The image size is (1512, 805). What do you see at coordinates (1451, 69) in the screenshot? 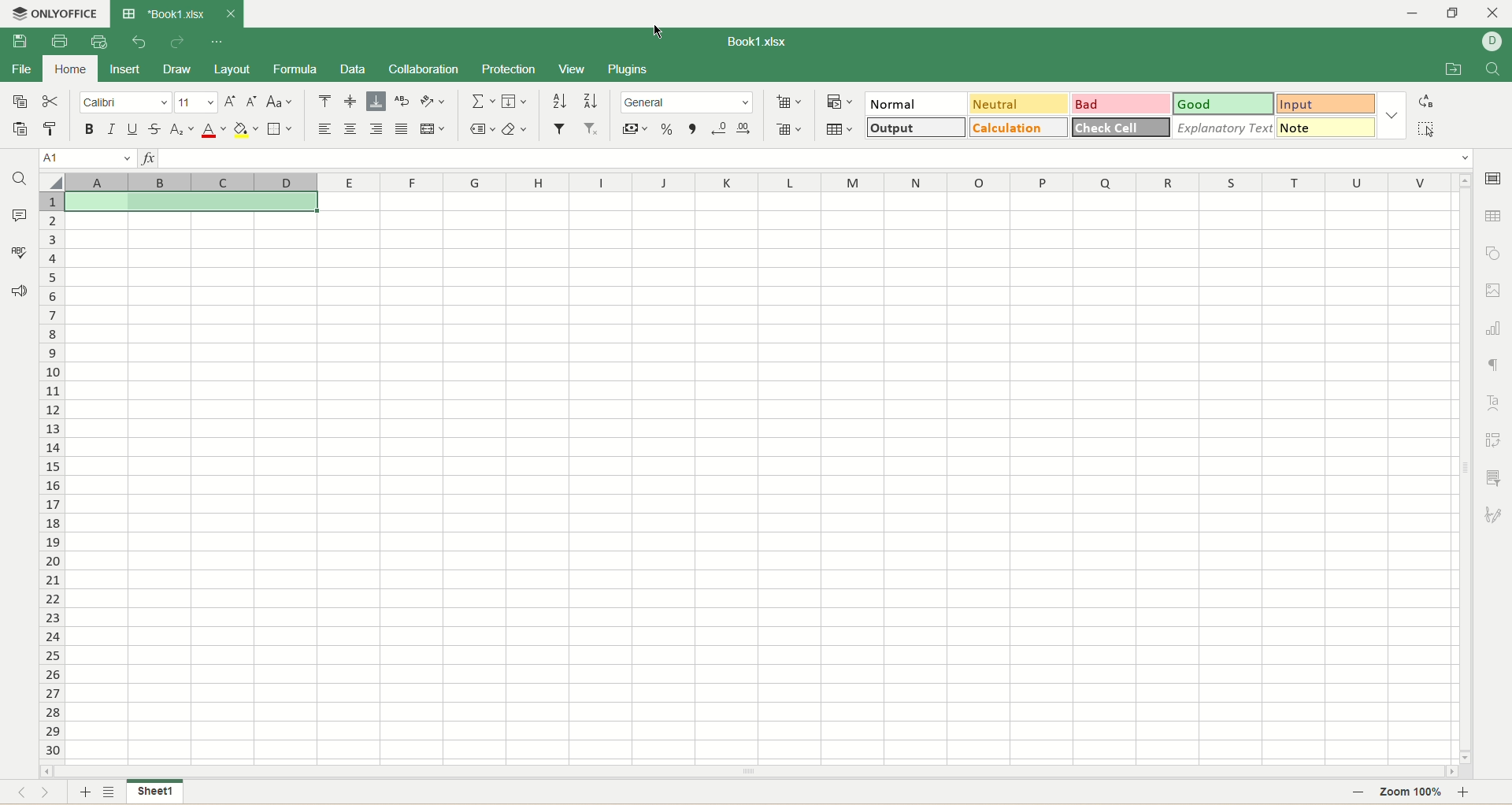
I see `open file location` at bounding box center [1451, 69].